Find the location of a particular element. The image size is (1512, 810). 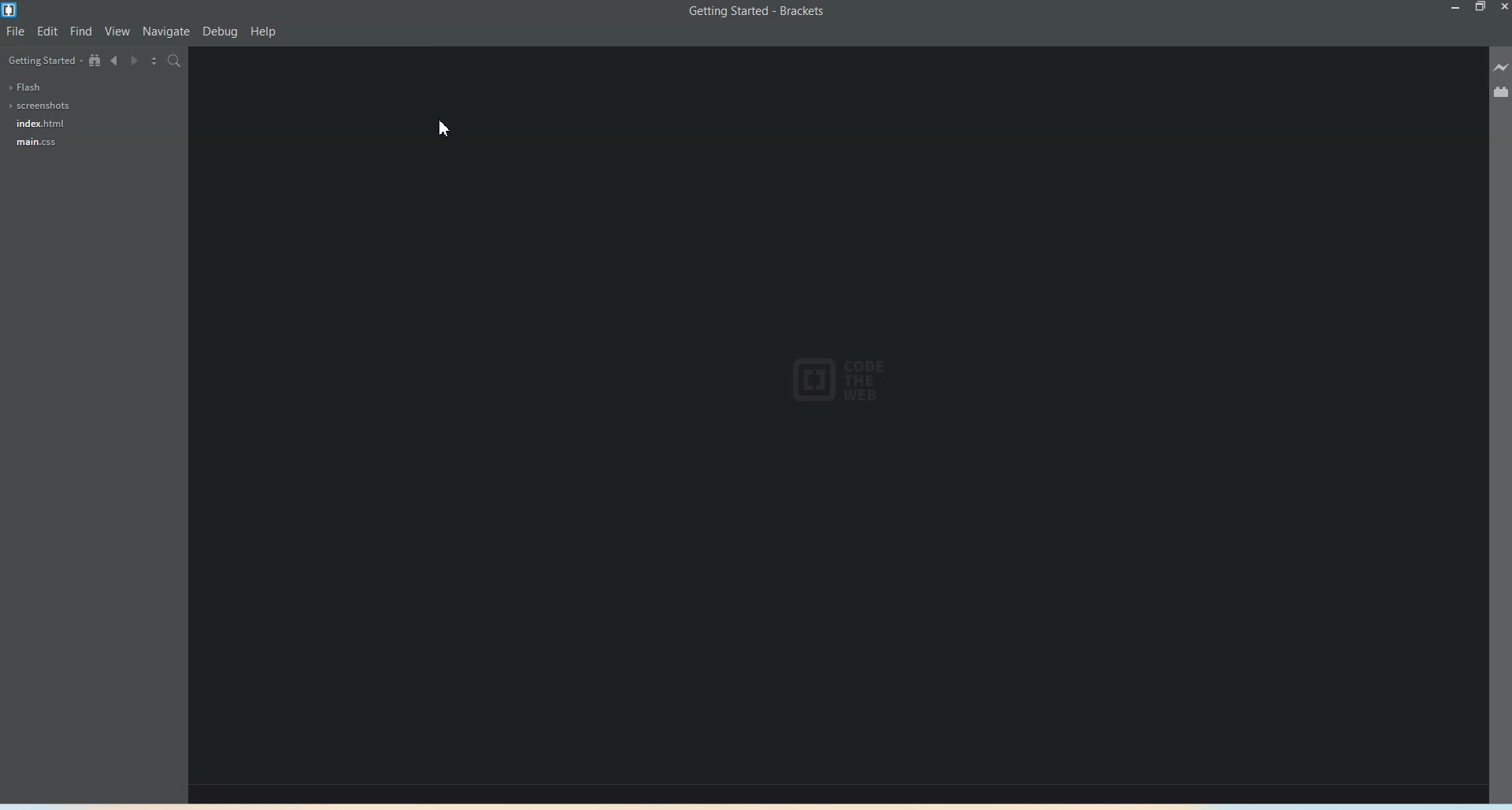

Find in files is located at coordinates (175, 61).